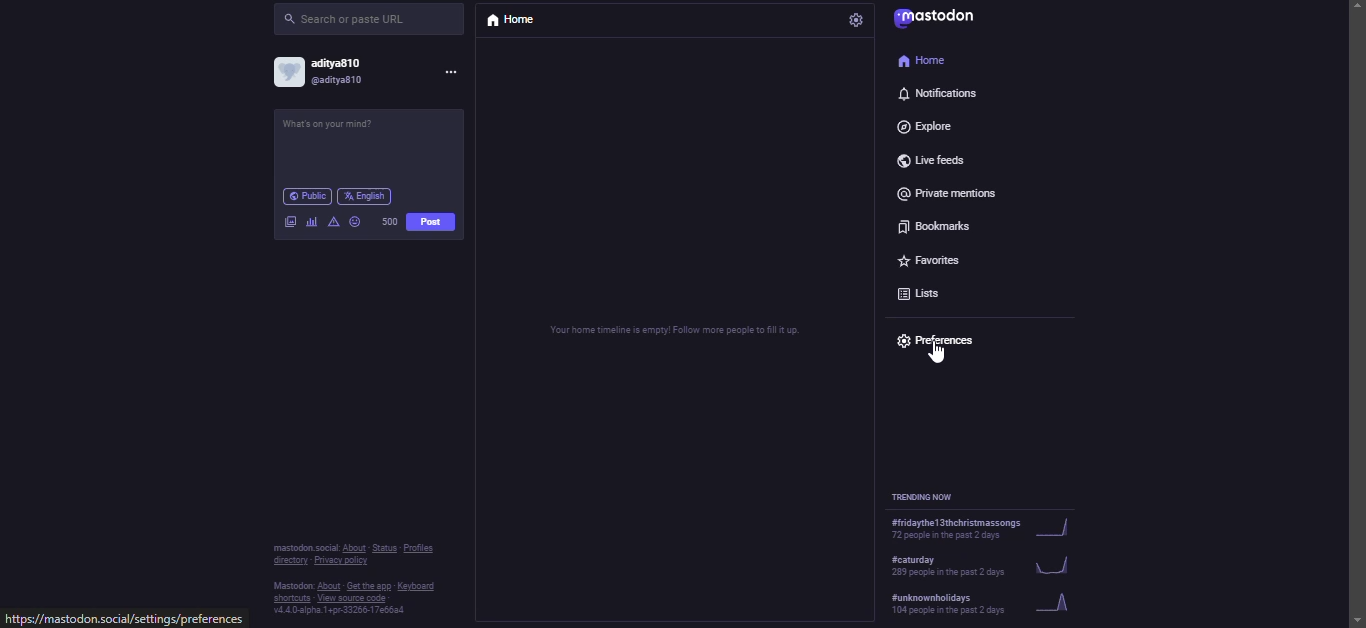 This screenshot has width=1366, height=628. I want to click on #unknownholidays: 104 people in the past 2 days, so click(988, 604).